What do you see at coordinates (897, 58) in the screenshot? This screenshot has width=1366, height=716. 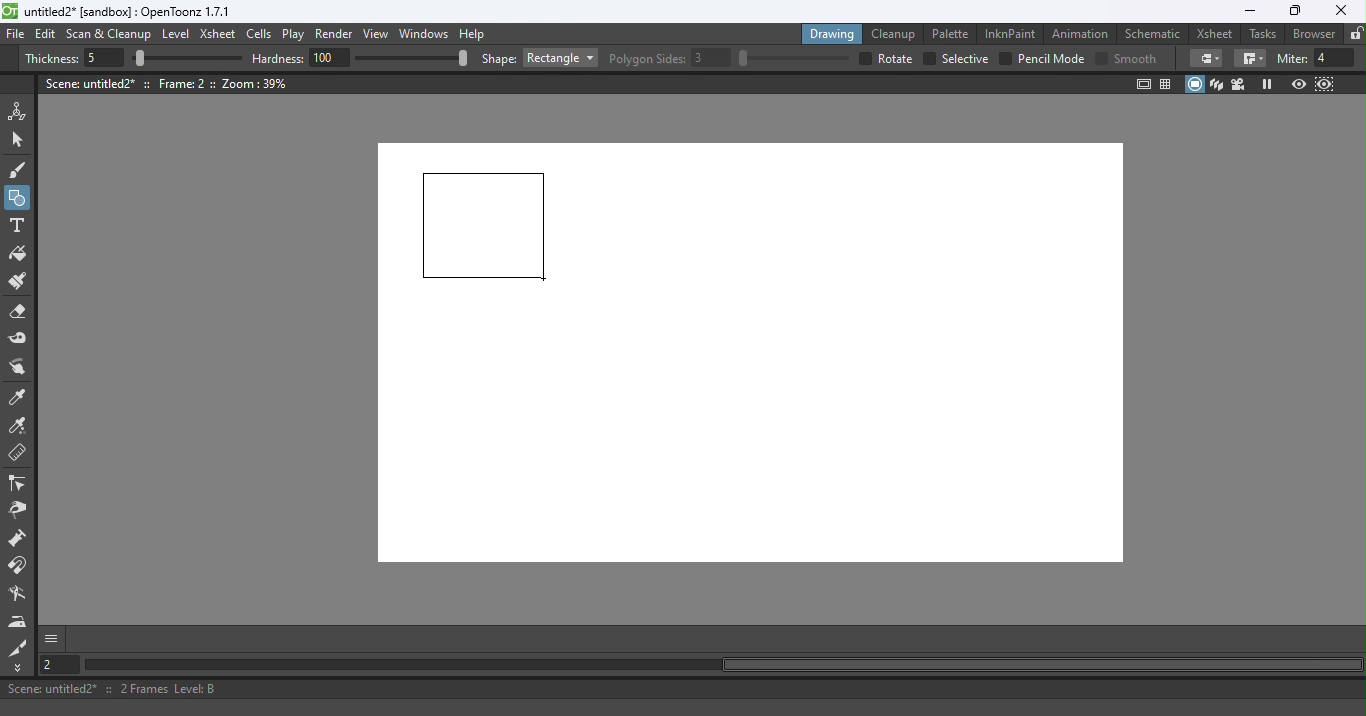 I see `over all` at bounding box center [897, 58].